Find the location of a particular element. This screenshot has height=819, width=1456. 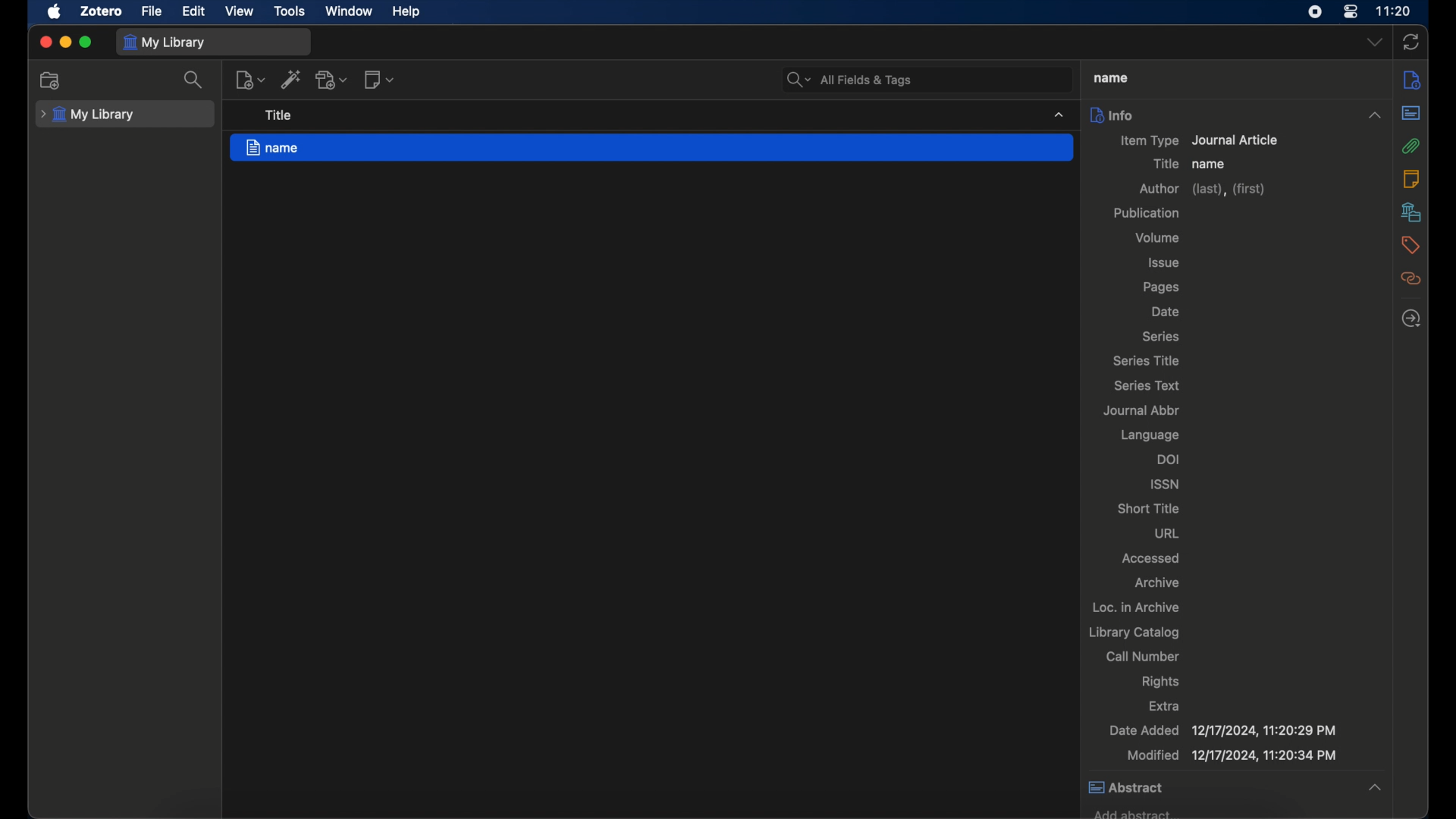

journal abbr is located at coordinates (1141, 409).